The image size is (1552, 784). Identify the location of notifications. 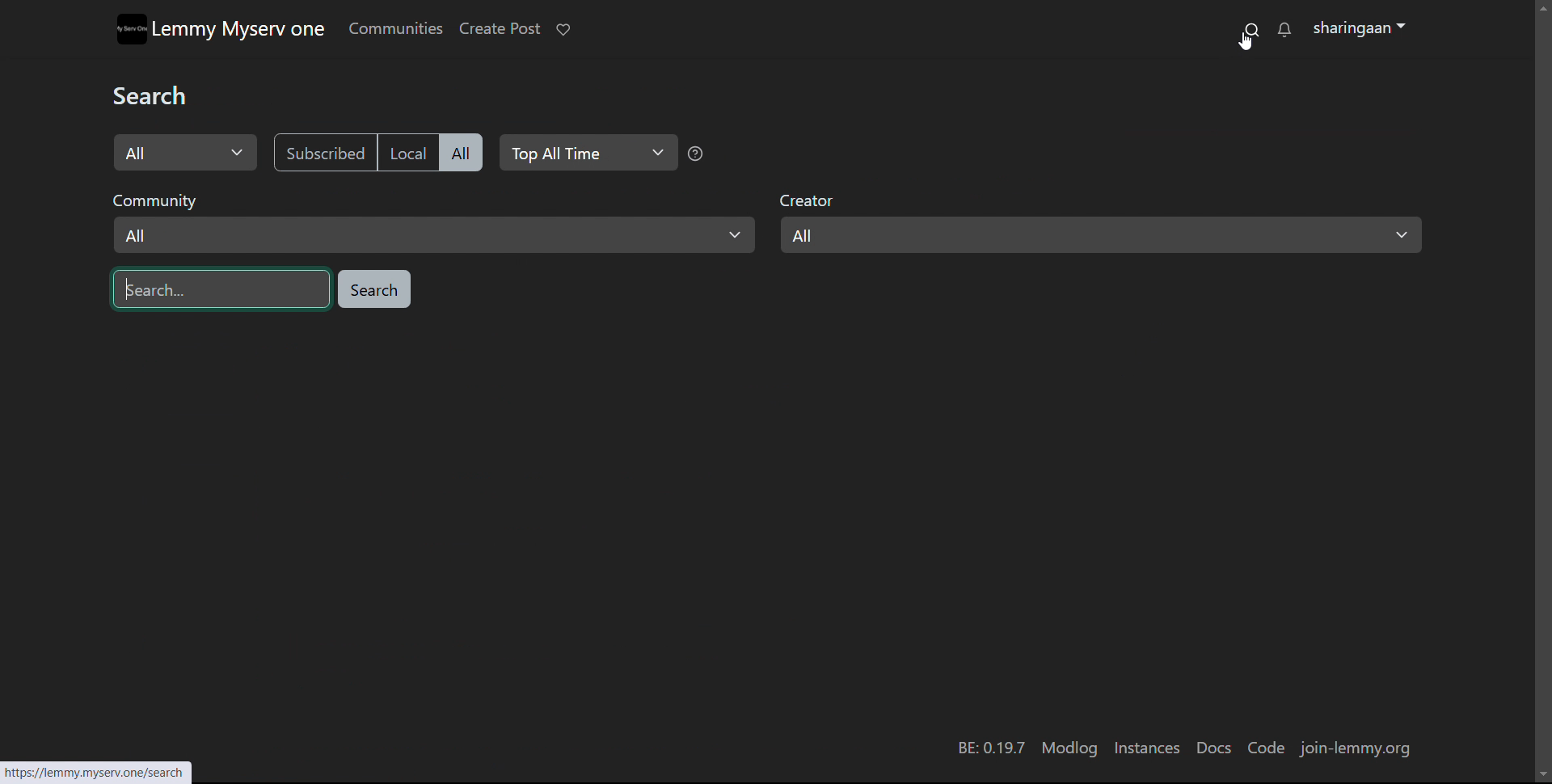
(1285, 29).